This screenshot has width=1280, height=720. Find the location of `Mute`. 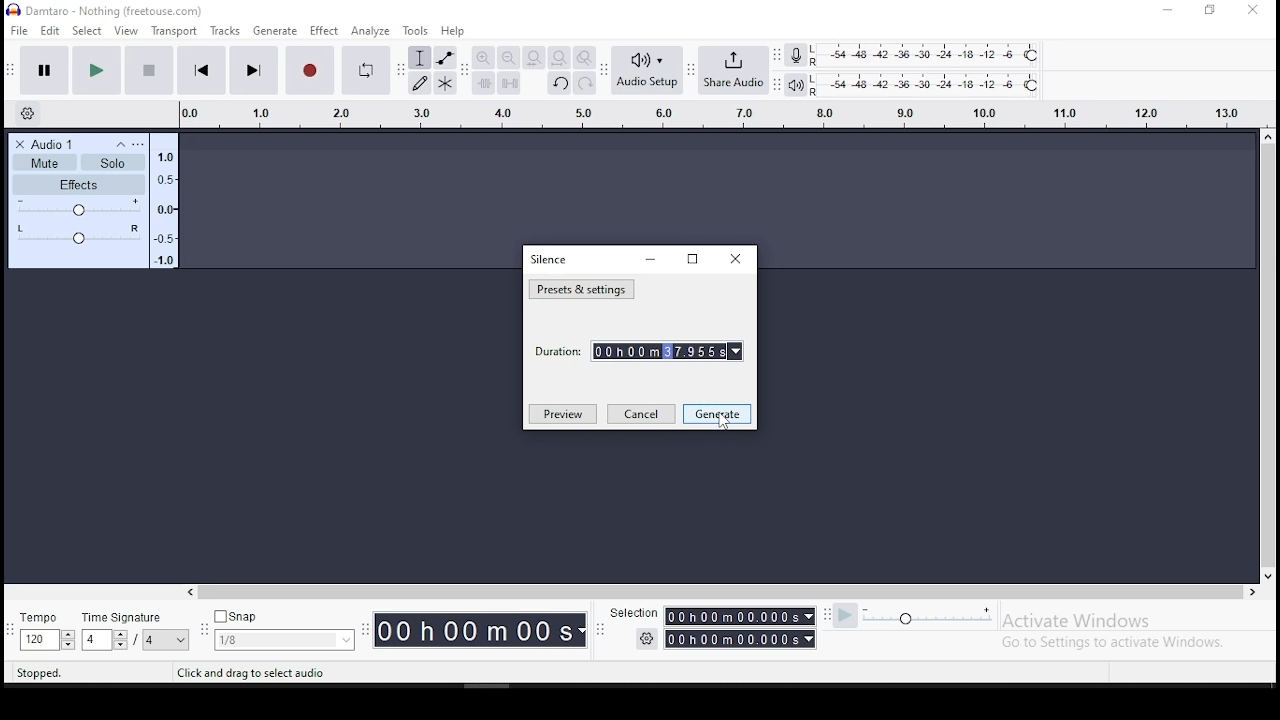

Mute is located at coordinates (45, 164).